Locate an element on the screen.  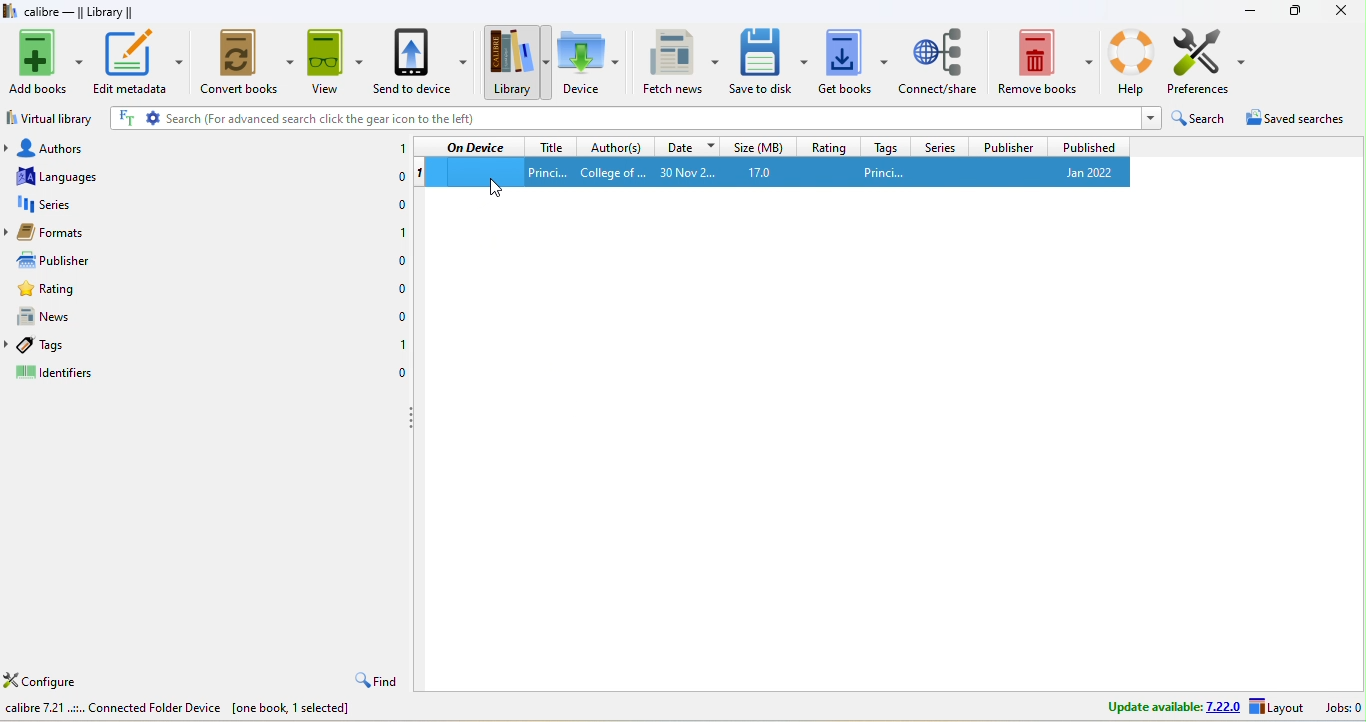
close is located at coordinates (1340, 11).